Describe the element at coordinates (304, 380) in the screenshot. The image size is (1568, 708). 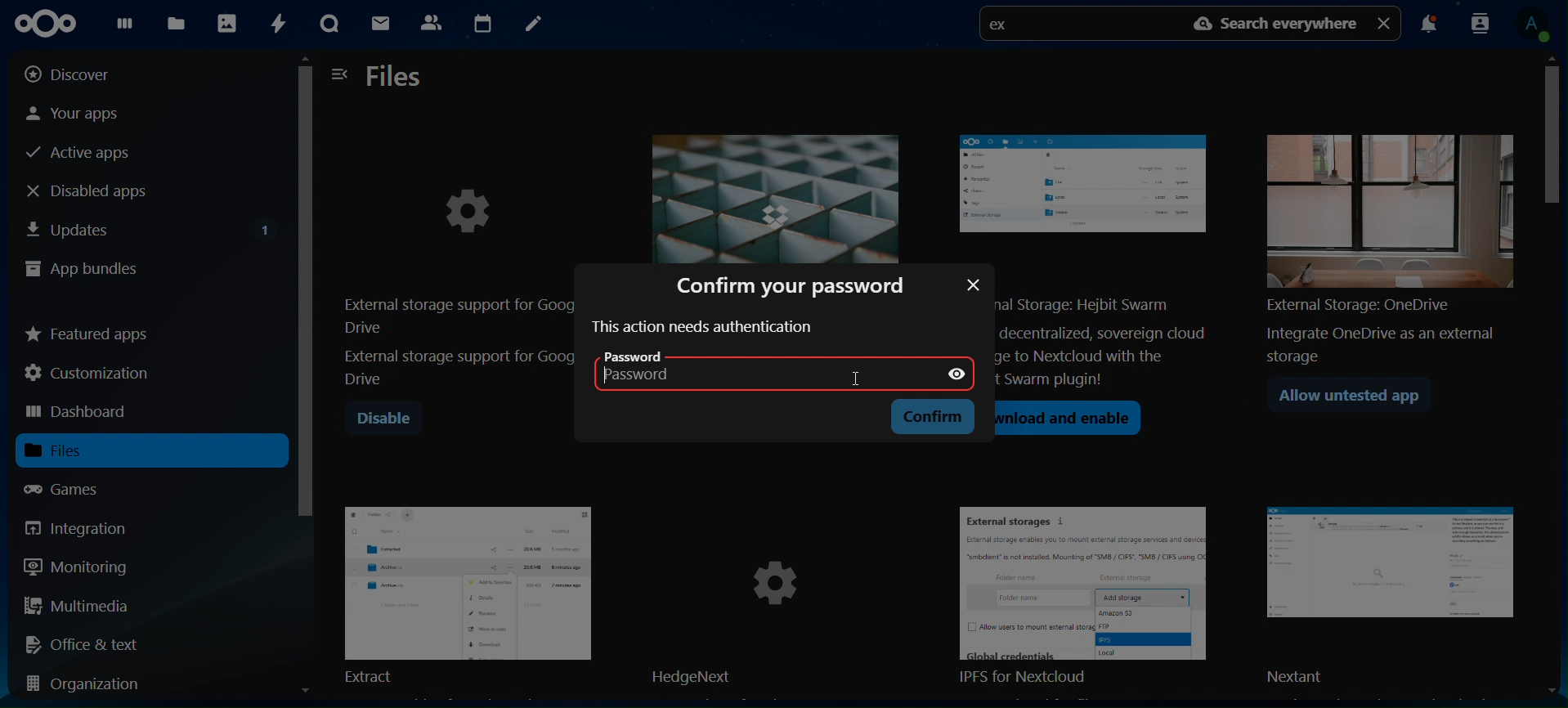
I see `scrollbar` at that location.